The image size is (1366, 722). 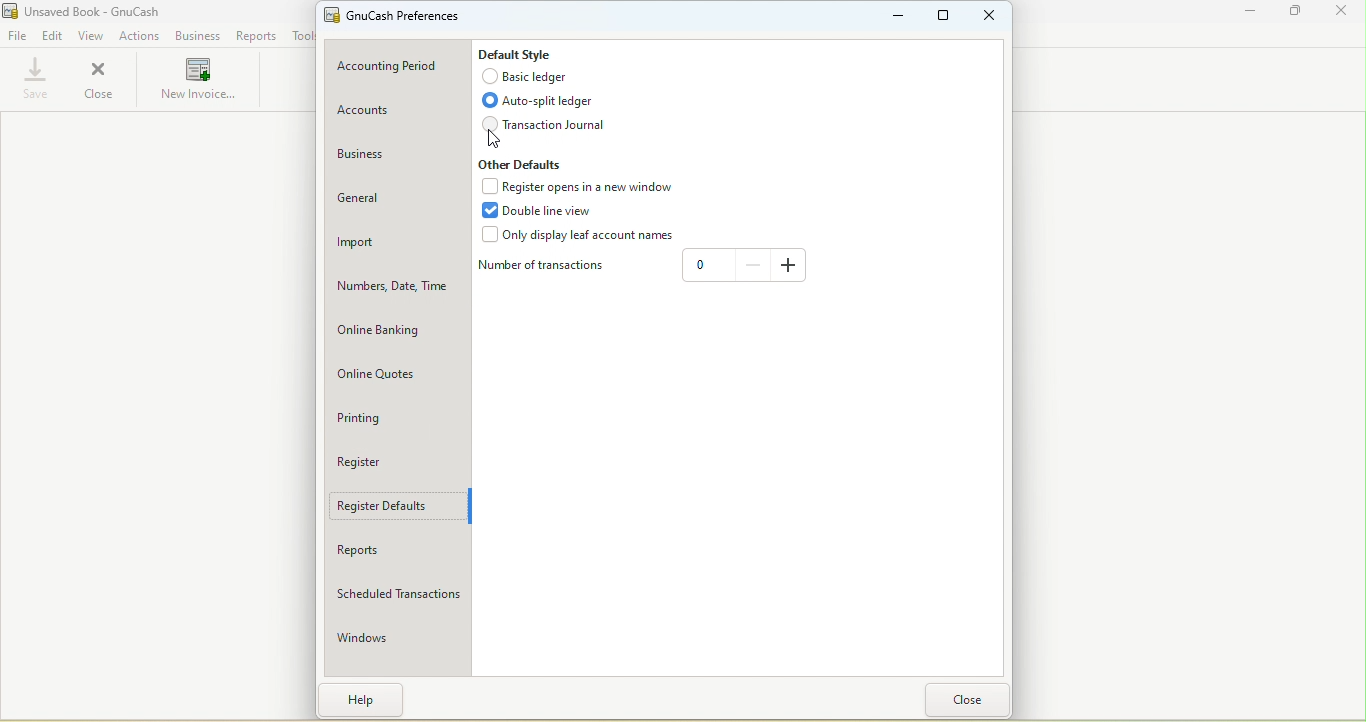 I want to click on Close, so click(x=102, y=80).